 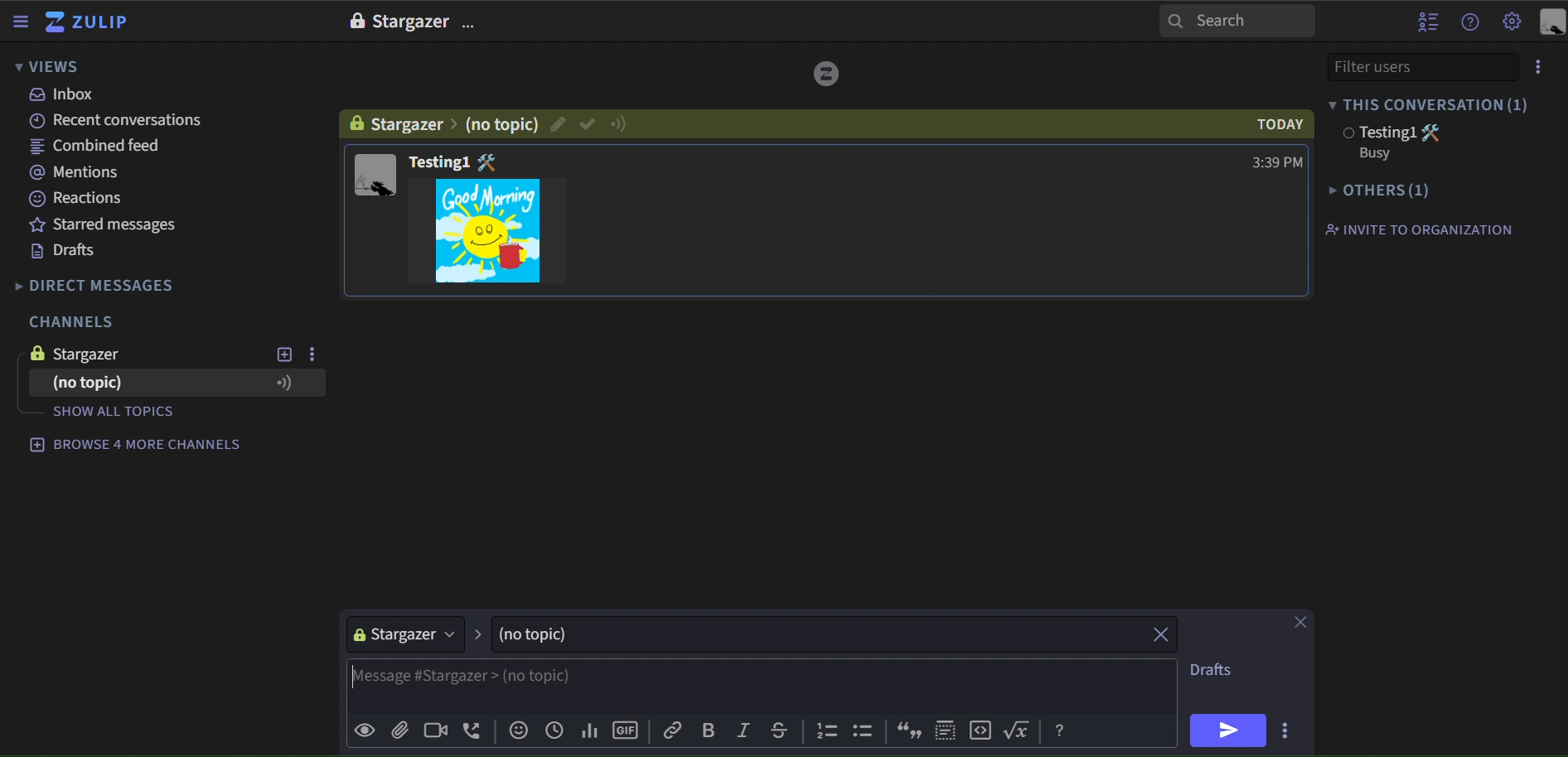 I want to click on edit, so click(x=558, y=123).